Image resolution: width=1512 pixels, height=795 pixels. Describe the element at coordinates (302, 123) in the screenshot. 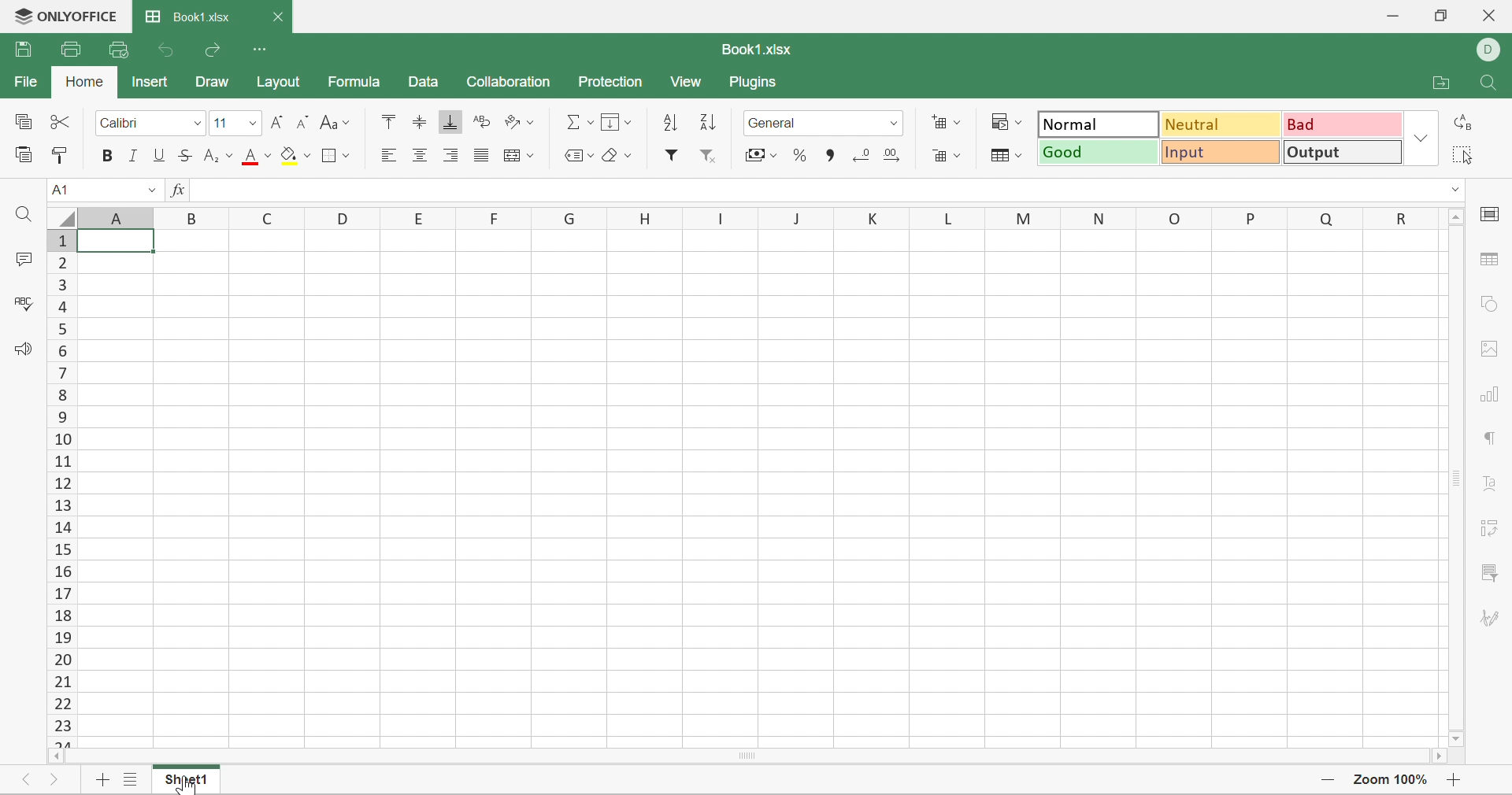

I see `Decrease font size` at that location.